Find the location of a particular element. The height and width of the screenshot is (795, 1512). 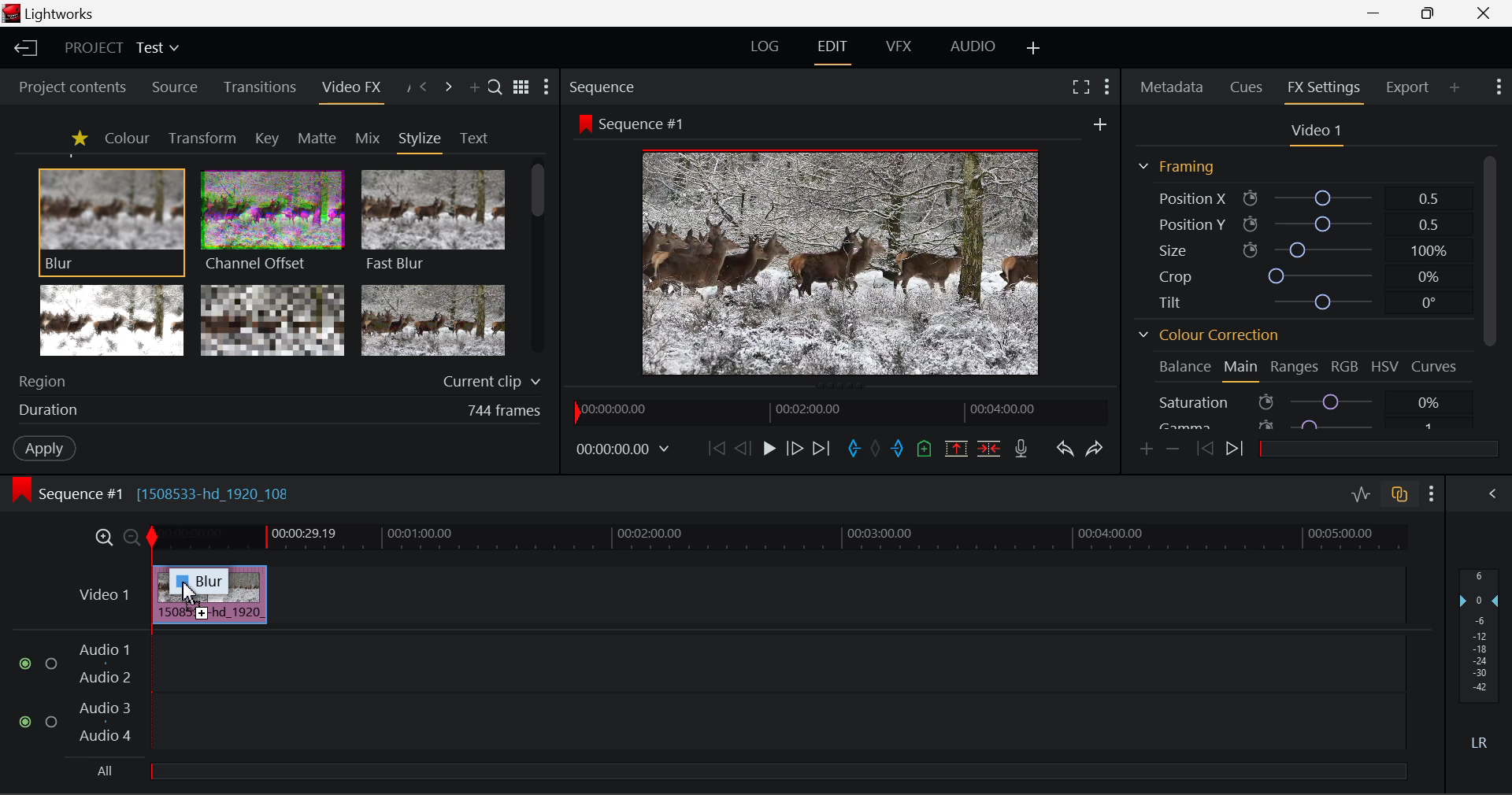

Glow is located at coordinates (113, 321).